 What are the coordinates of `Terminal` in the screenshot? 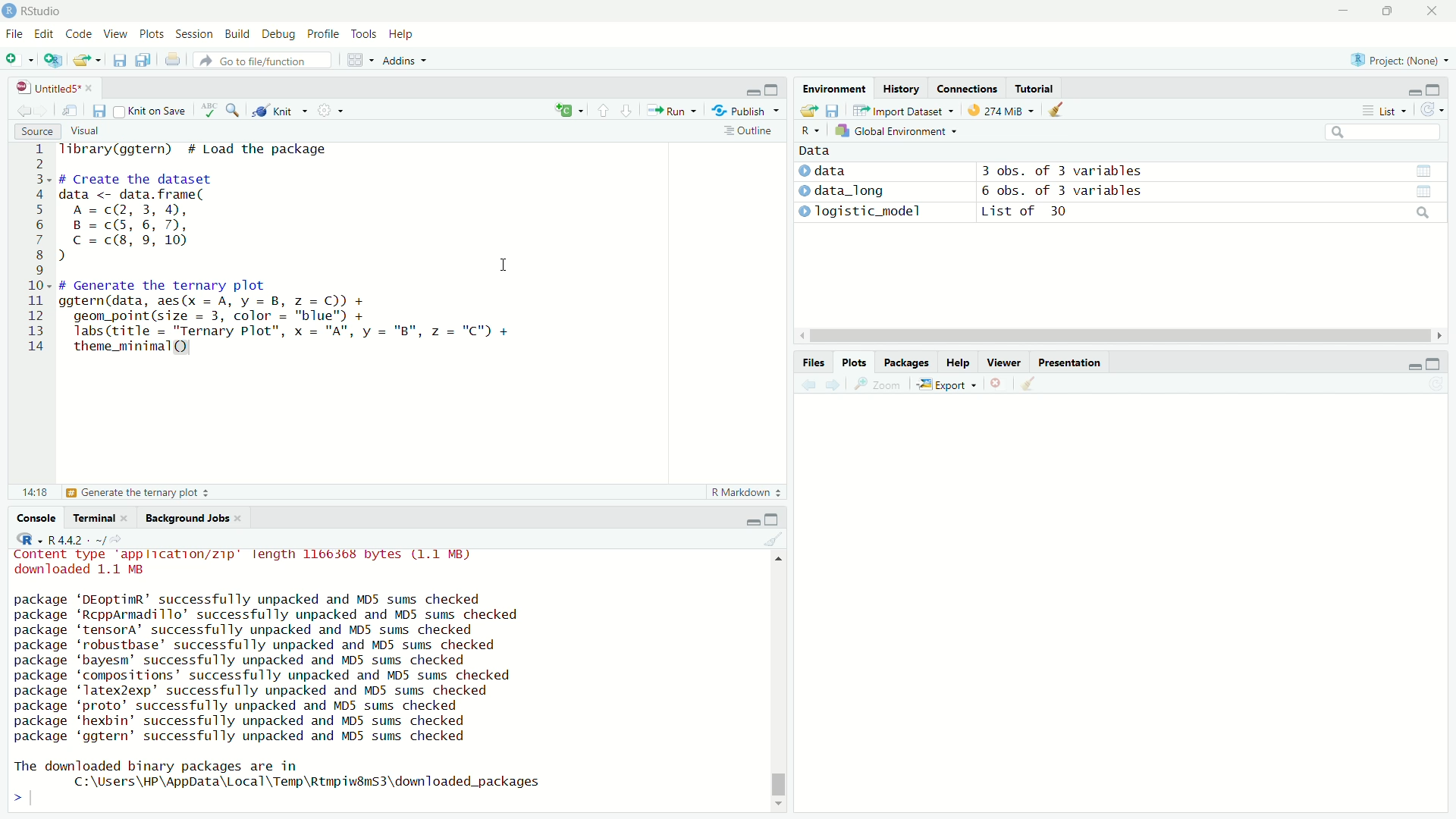 It's located at (95, 518).